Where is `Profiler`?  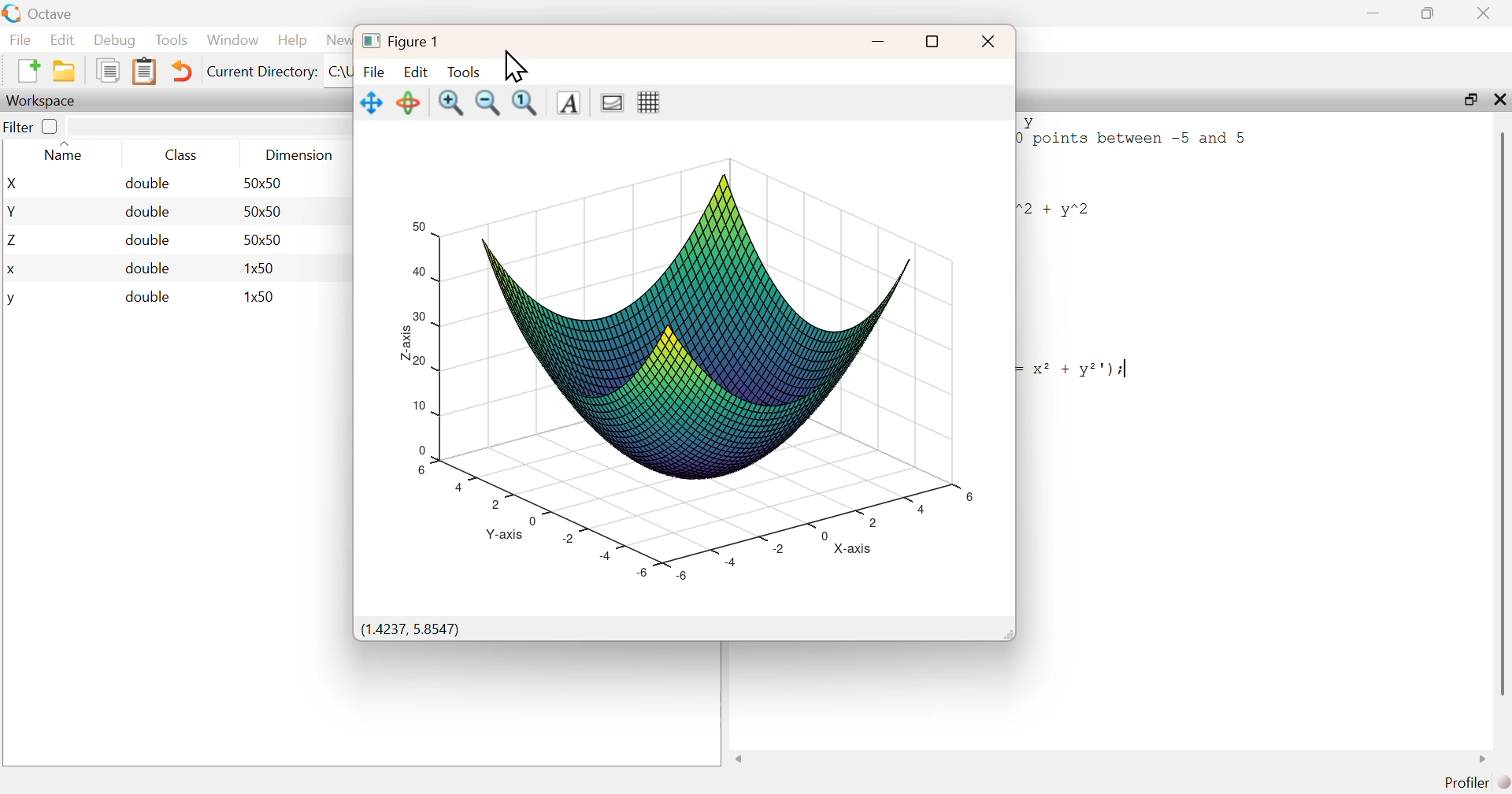
Profiler is located at coordinates (1477, 783).